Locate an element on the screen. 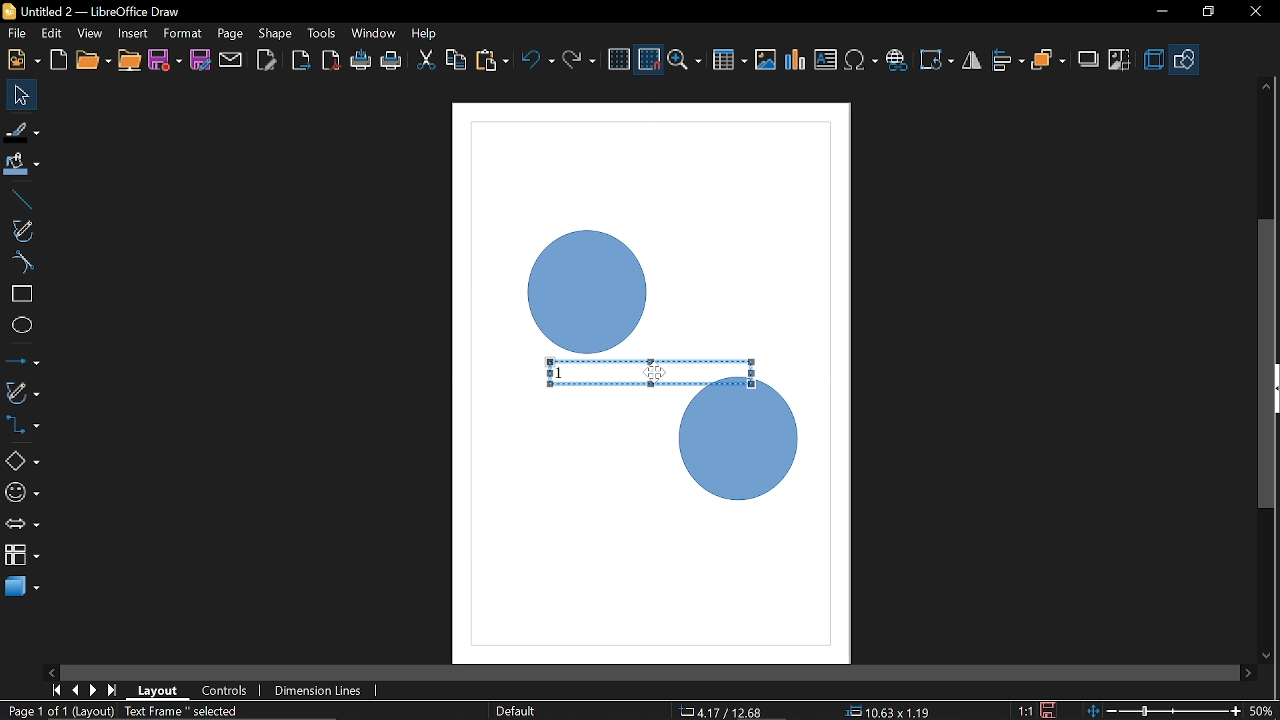 This screenshot has height=720, width=1280. Zoom is located at coordinates (687, 61).